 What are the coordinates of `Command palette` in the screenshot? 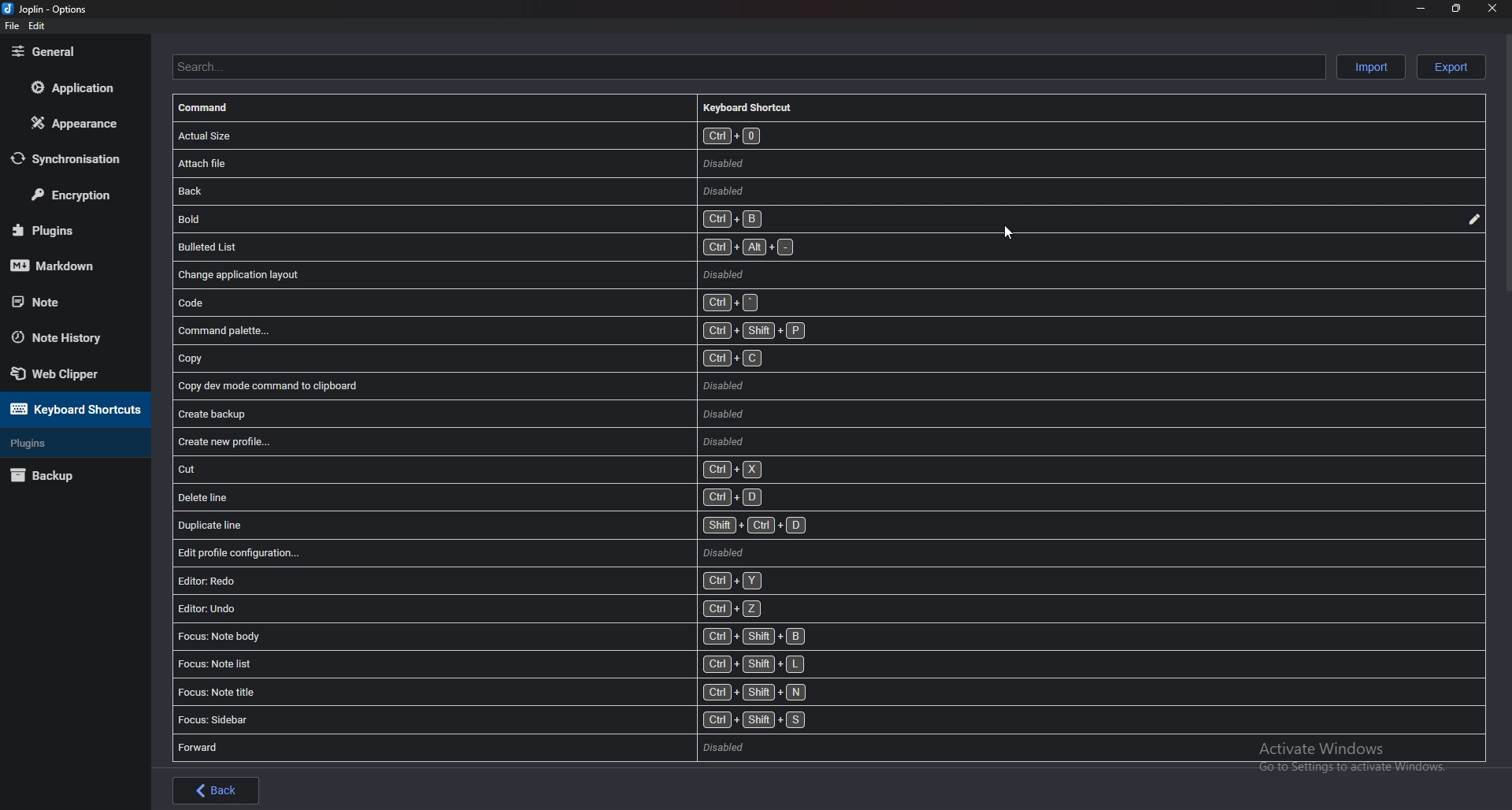 It's located at (495, 330).